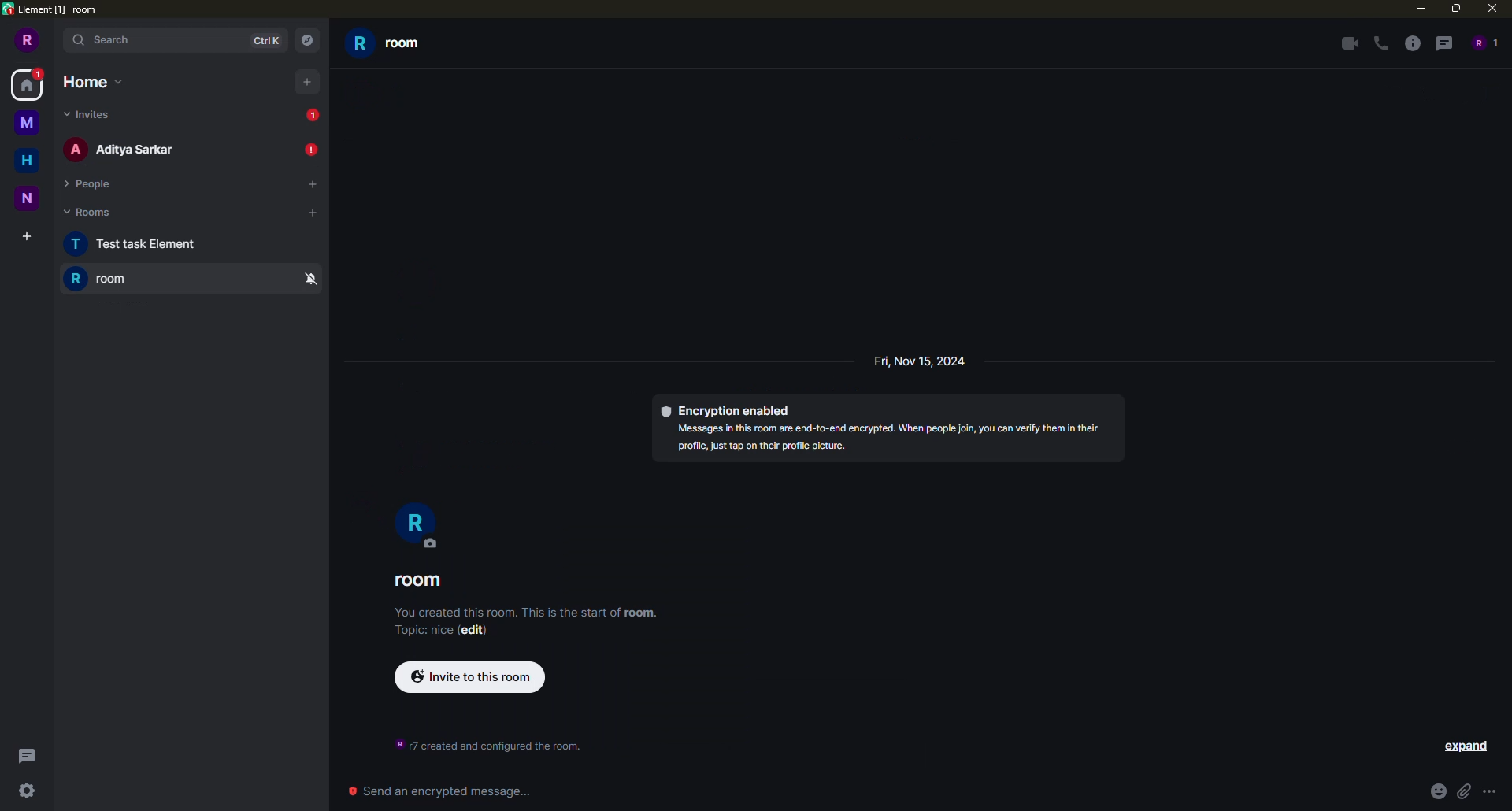  What do you see at coordinates (1443, 43) in the screenshot?
I see `threads` at bounding box center [1443, 43].